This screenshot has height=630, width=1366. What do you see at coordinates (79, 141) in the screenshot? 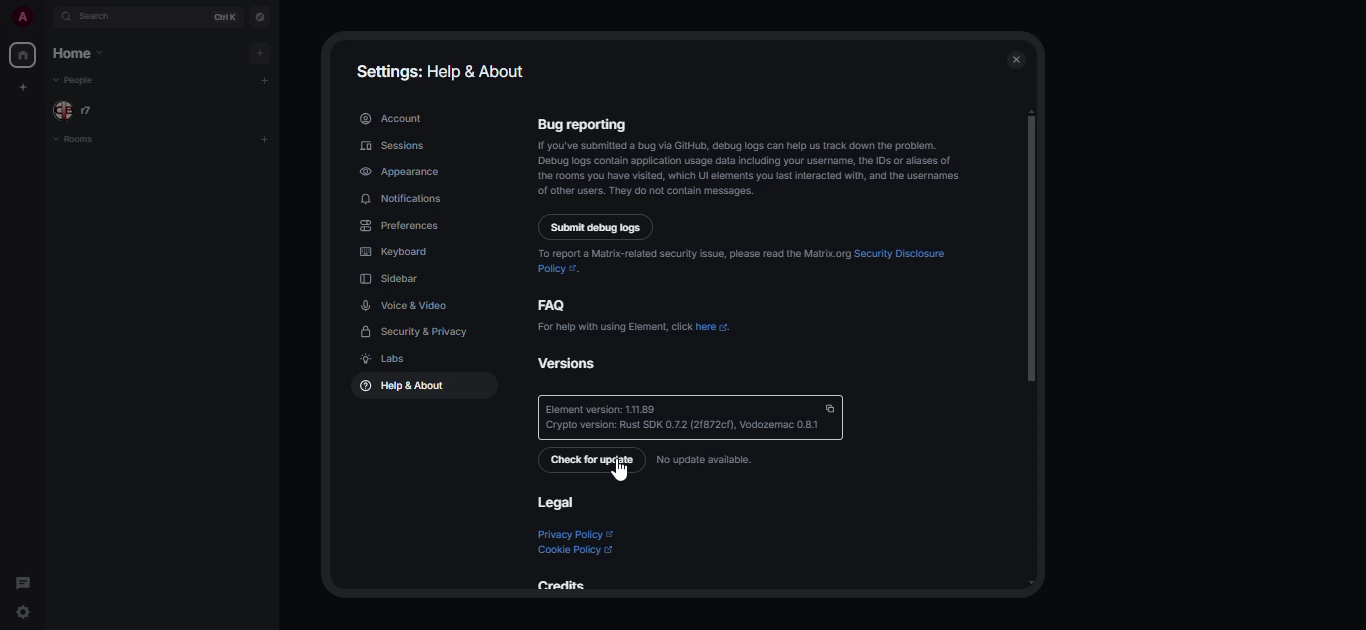
I see `rooms` at bounding box center [79, 141].